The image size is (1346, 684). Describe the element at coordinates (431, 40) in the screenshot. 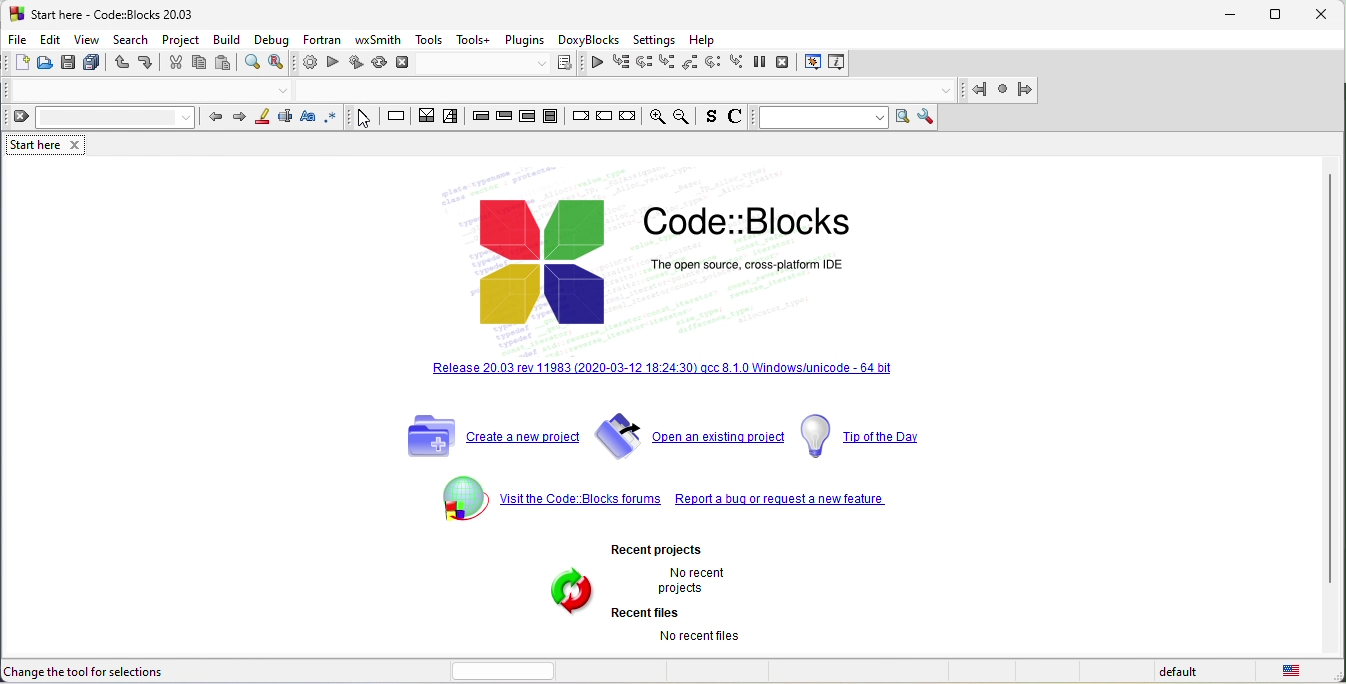

I see `tools` at that location.